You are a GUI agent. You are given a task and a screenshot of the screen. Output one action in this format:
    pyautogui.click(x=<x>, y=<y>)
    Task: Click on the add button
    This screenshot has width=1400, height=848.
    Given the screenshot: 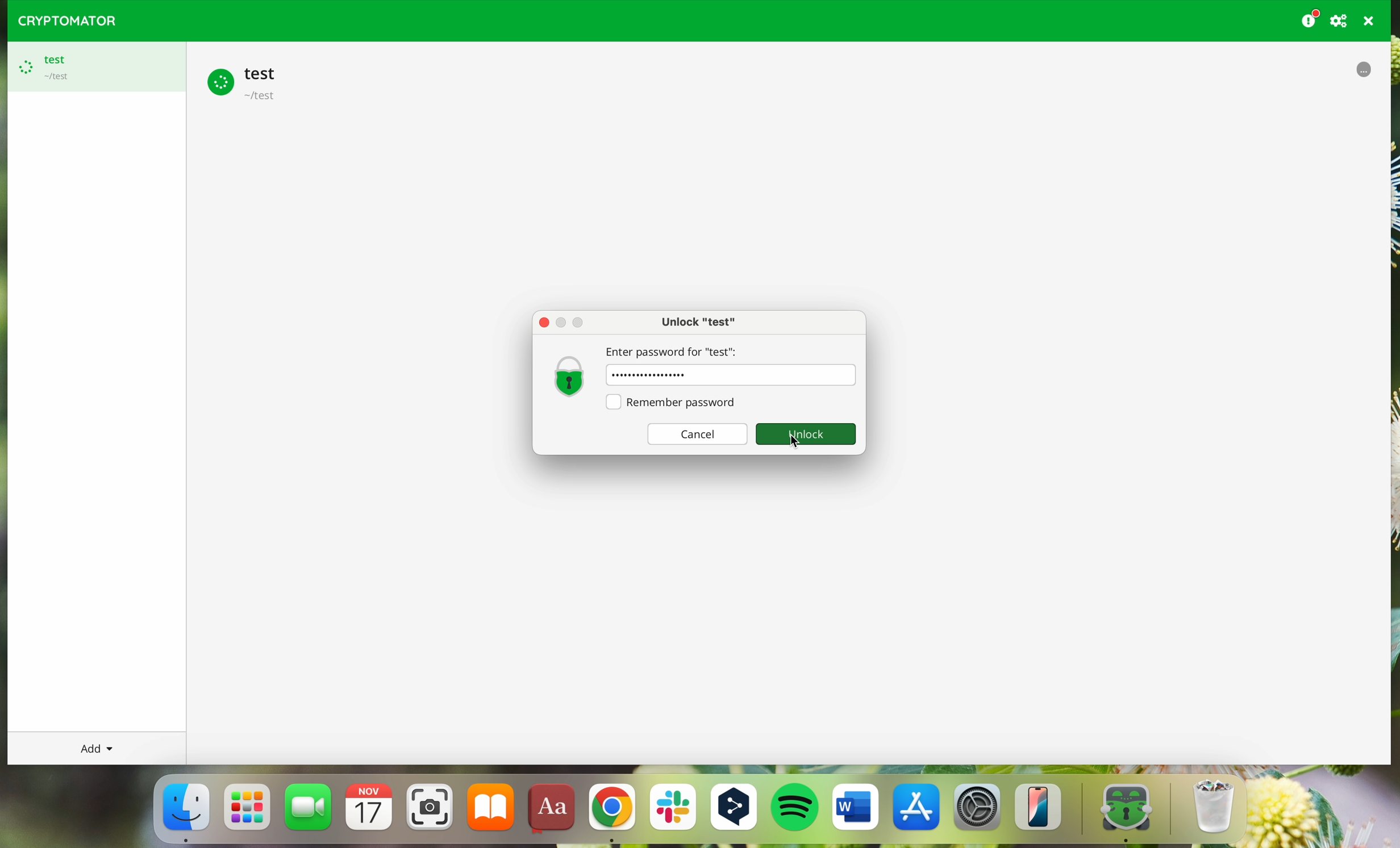 What is the action you would take?
    pyautogui.click(x=95, y=748)
    